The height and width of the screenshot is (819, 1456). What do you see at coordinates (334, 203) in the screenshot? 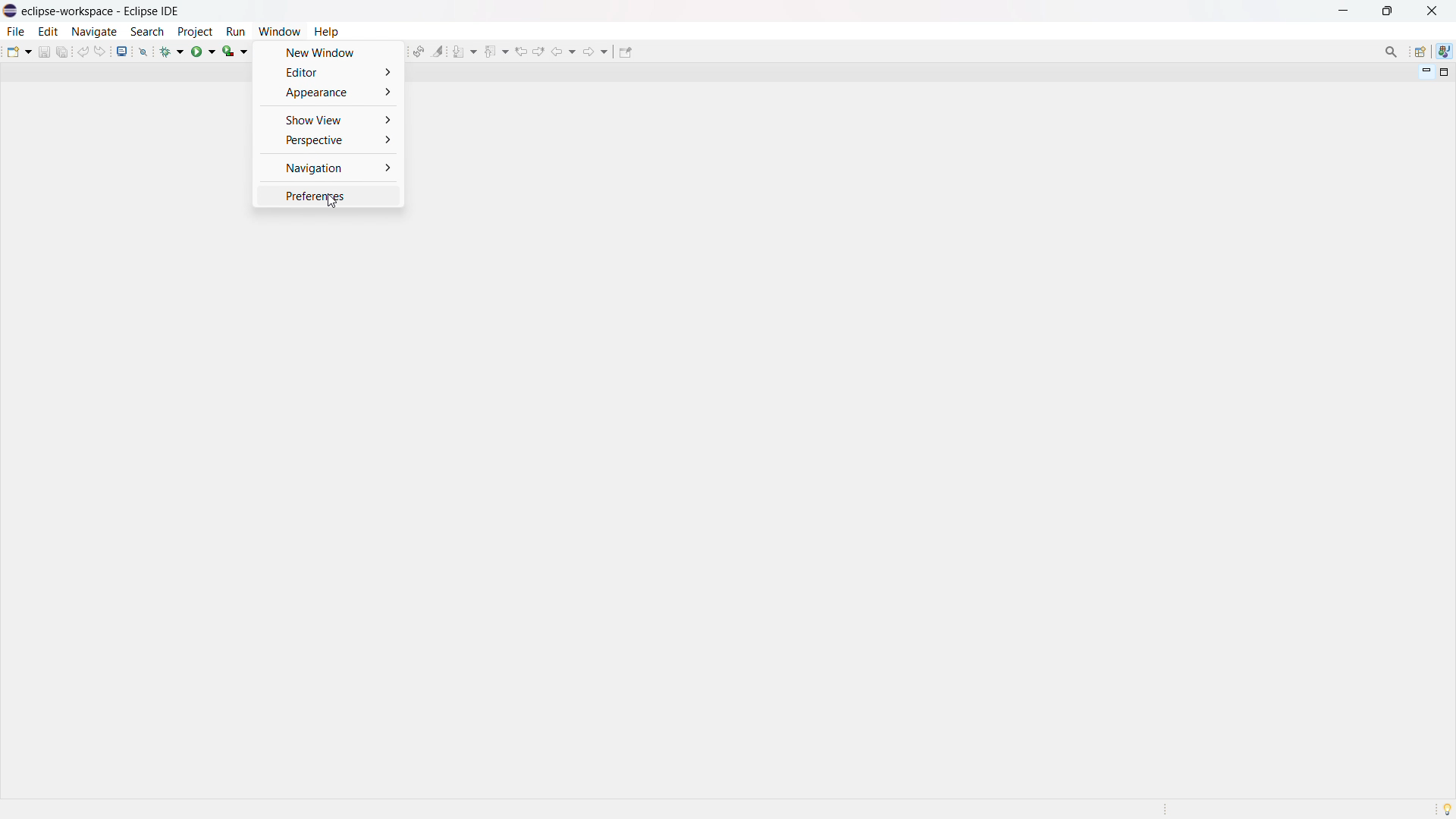
I see `cursor` at bounding box center [334, 203].